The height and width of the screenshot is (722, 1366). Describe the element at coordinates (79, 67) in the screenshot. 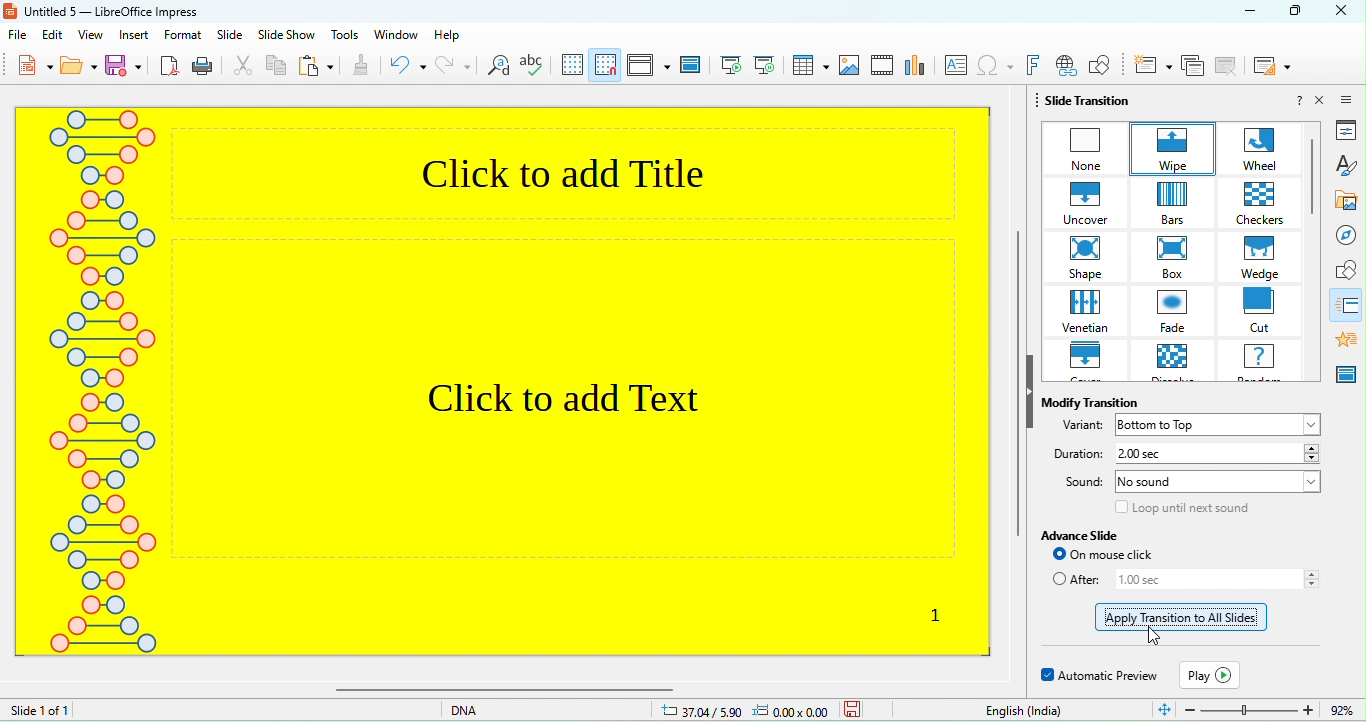

I see `open` at that location.